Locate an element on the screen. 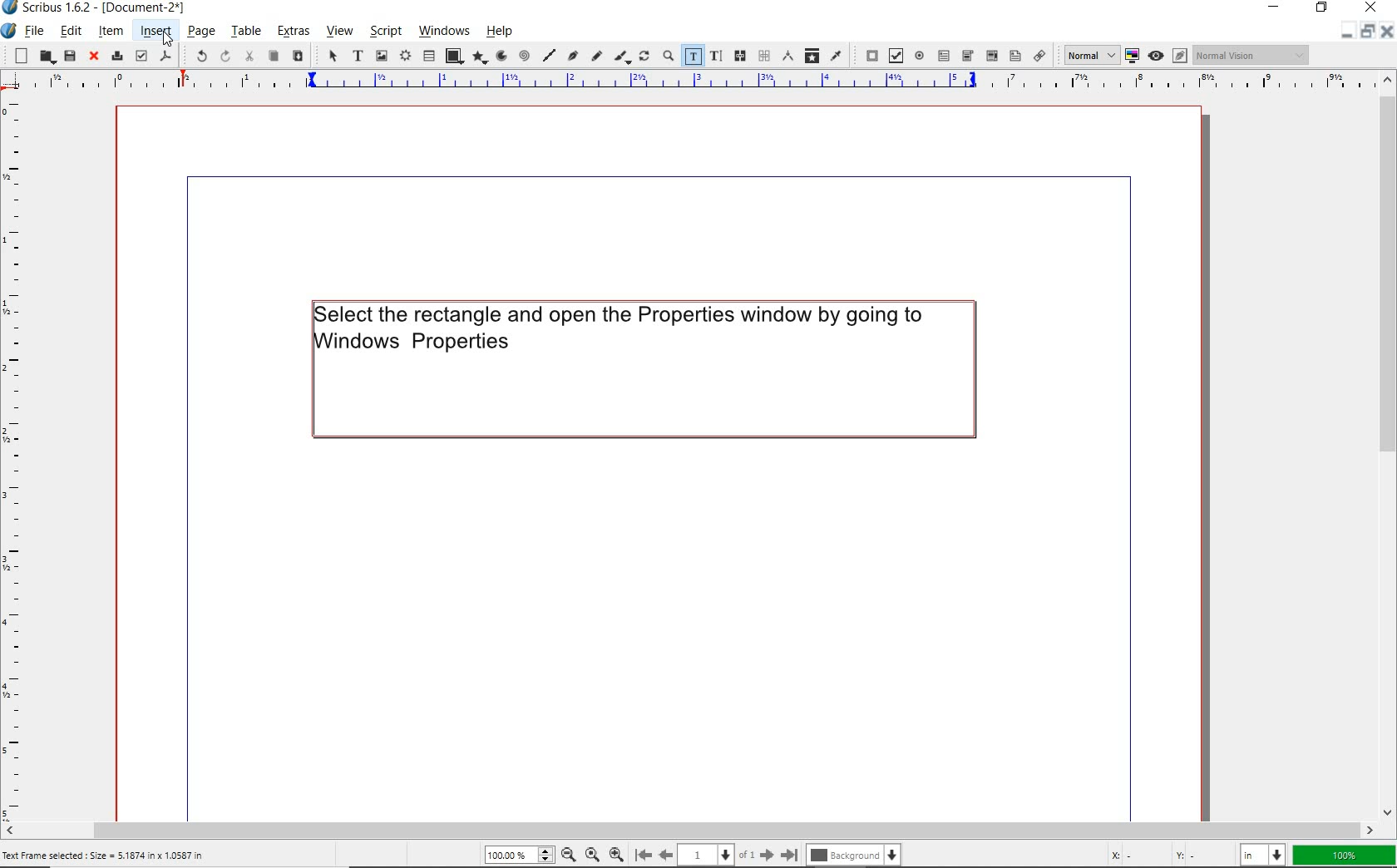 The height and width of the screenshot is (868, 1397). close is located at coordinates (1387, 35).